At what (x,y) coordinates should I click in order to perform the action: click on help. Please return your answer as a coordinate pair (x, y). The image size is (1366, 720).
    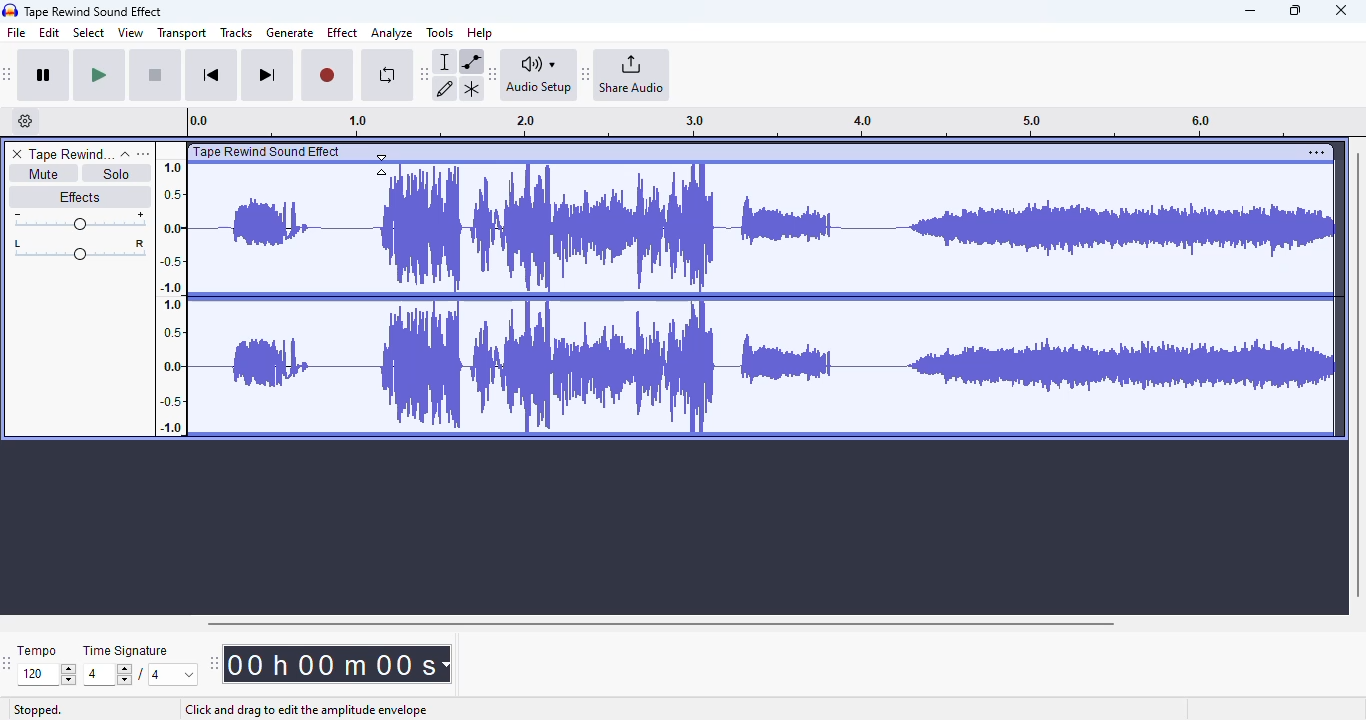
    Looking at the image, I should click on (480, 32).